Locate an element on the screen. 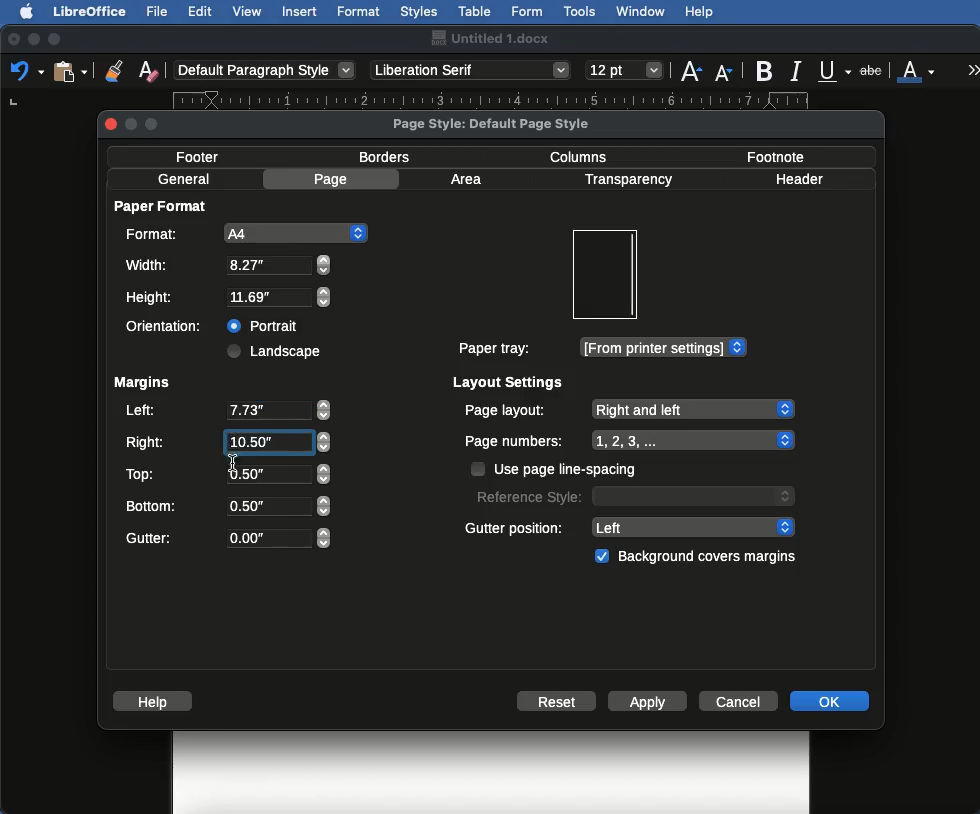 The height and width of the screenshot is (814, 980). Portrait is located at coordinates (265, 323).